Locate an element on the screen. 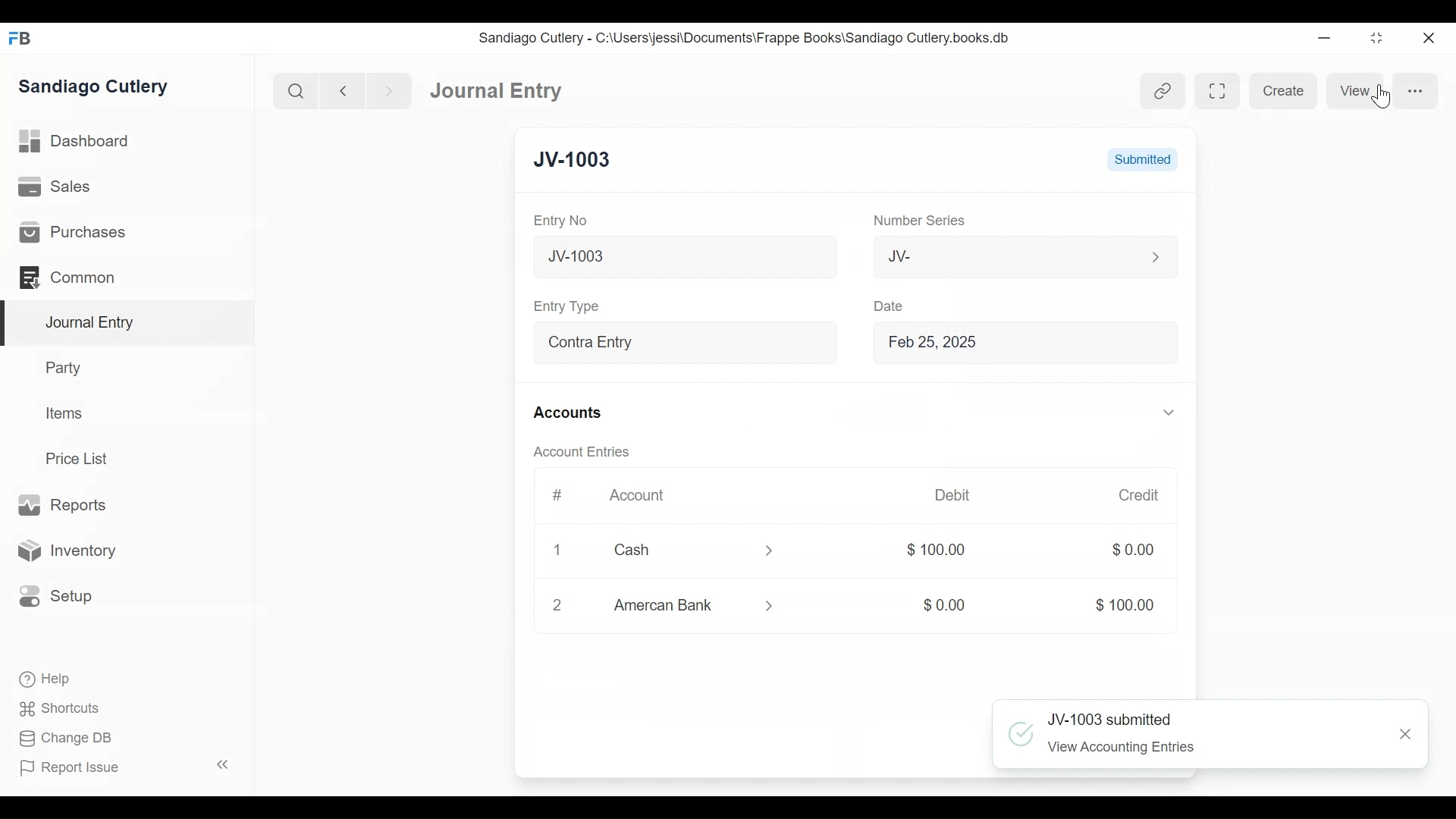 This screenshot has height=819, width=1456. Feb 25, 2025 is located at coordinates (1019, 346).